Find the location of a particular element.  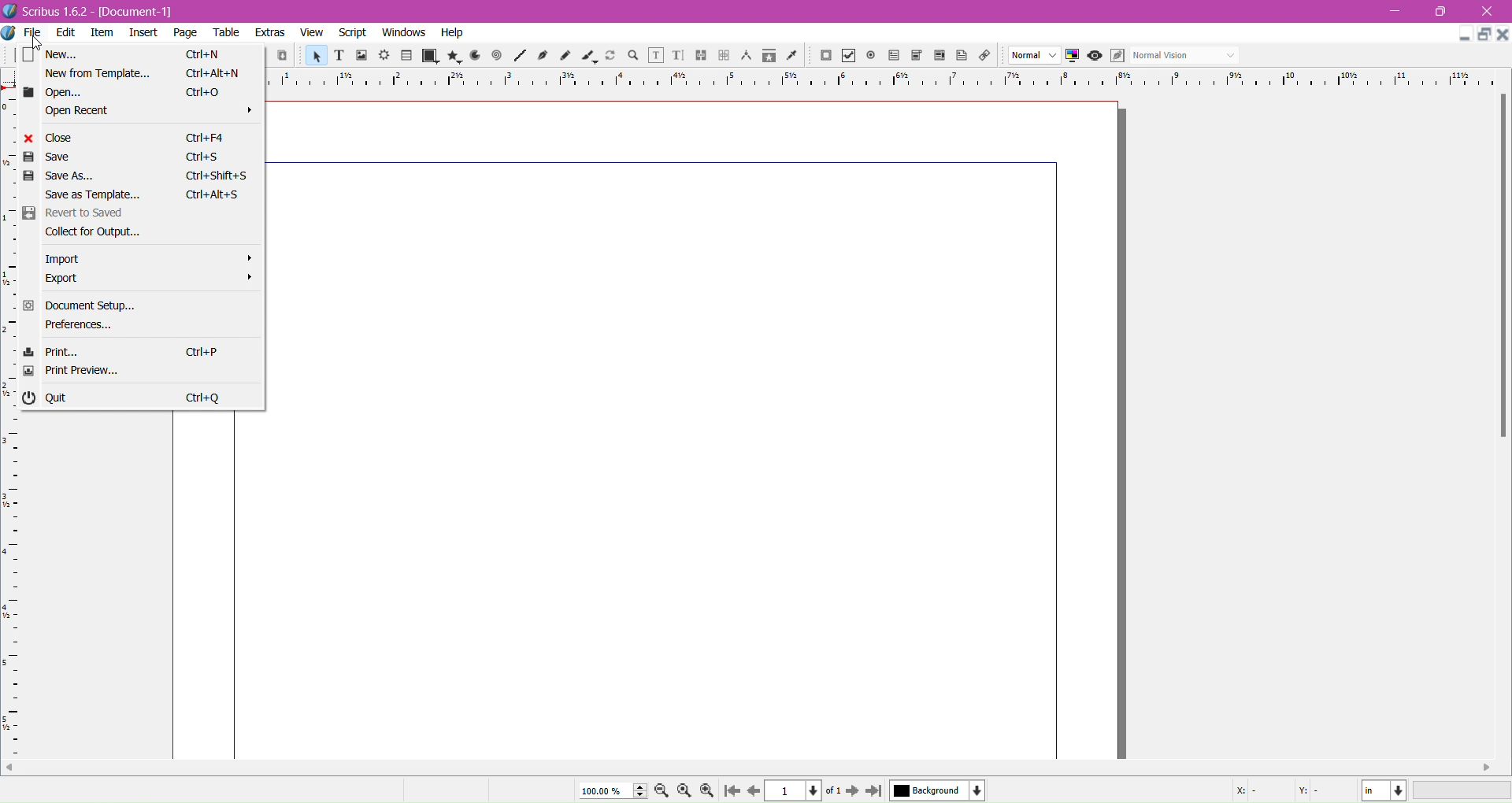

Script is located at coordinates (354, 33).